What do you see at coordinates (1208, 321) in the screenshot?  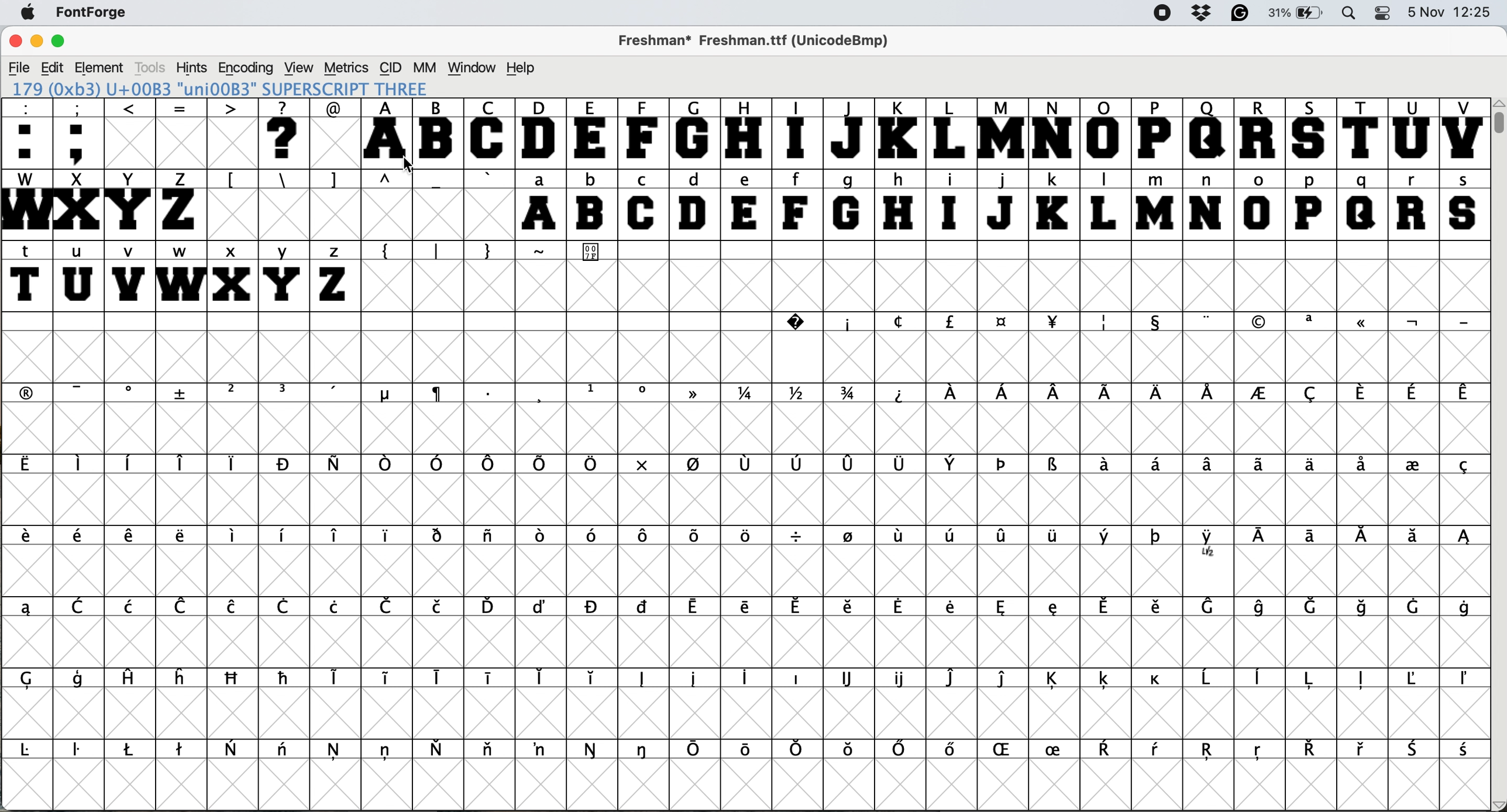 I see `symbol` at bounding box center [1208, 321].